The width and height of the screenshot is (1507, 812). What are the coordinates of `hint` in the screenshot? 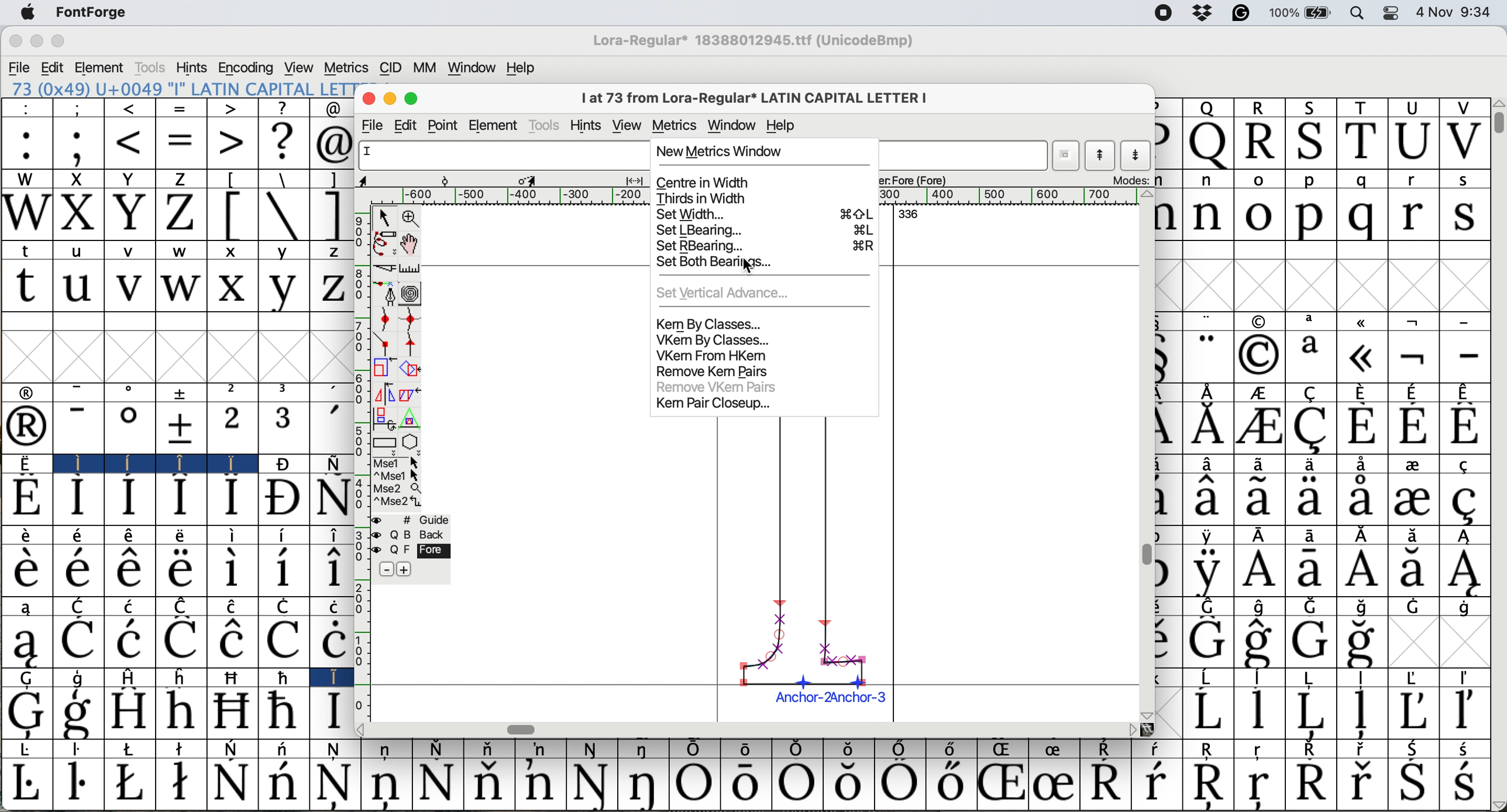 It's located at (586, 125).